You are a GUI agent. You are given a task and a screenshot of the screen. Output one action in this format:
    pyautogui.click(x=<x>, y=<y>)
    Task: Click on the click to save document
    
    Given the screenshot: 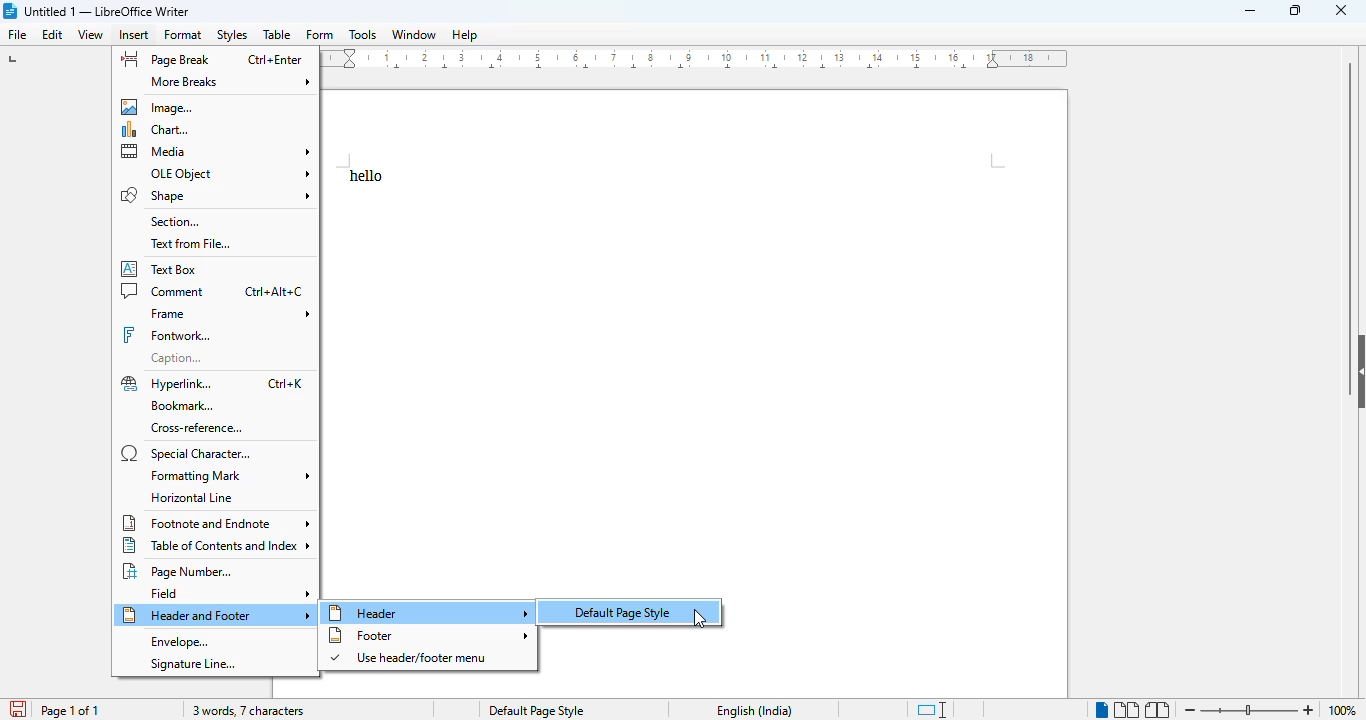 What is the action you would take?
    pyautogui.click(x=18, y=709)
    